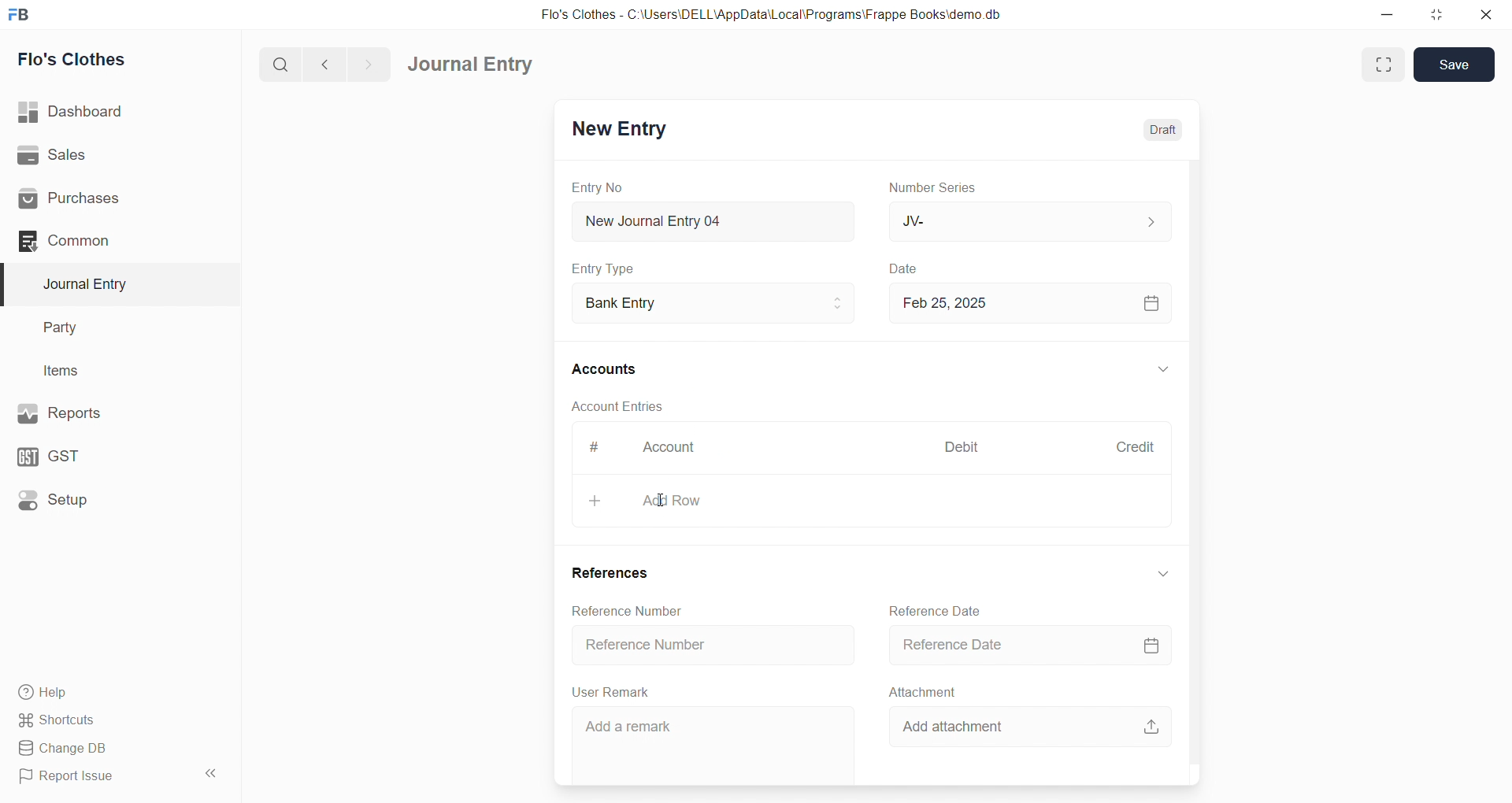 The image size is (1512, 803). What do you see at coordinates (113, 199) in the screenshot?
I see `Purchases` at bounding box center [113, 199].